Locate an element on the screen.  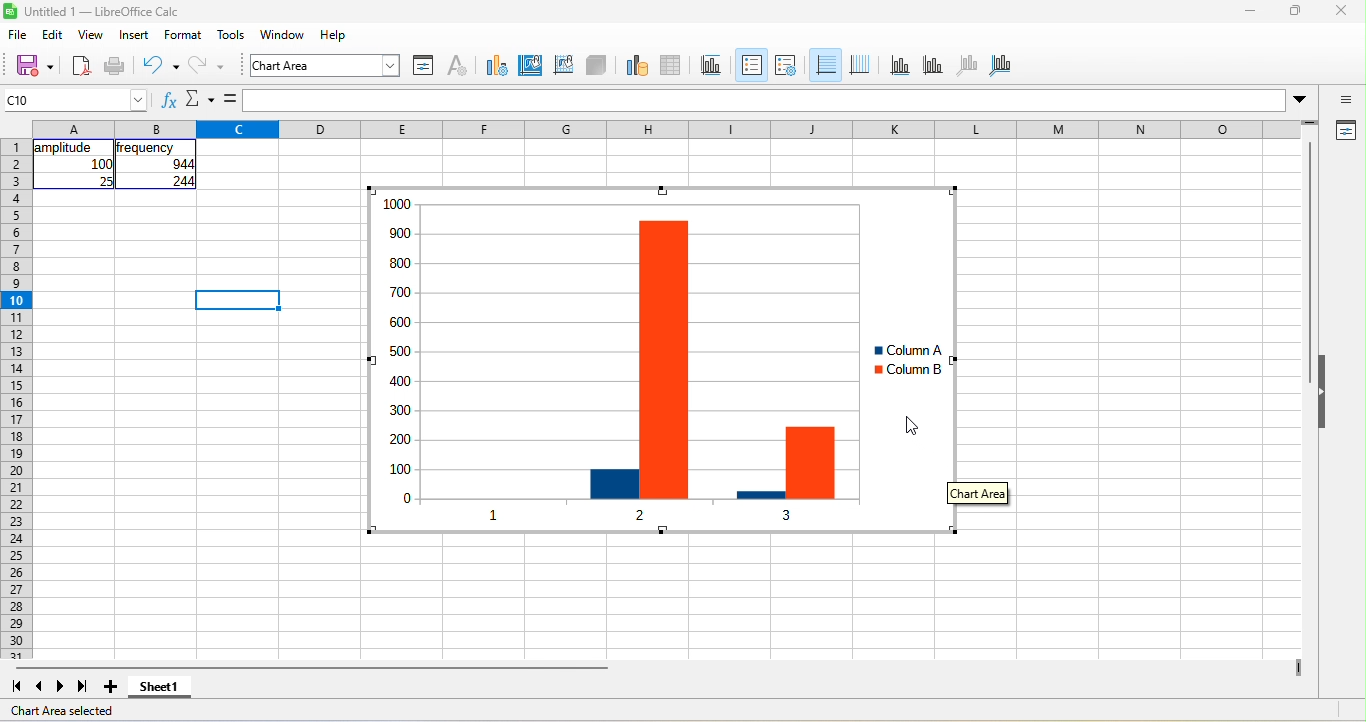
export directly as pdf is located at coordinates (81, 67).